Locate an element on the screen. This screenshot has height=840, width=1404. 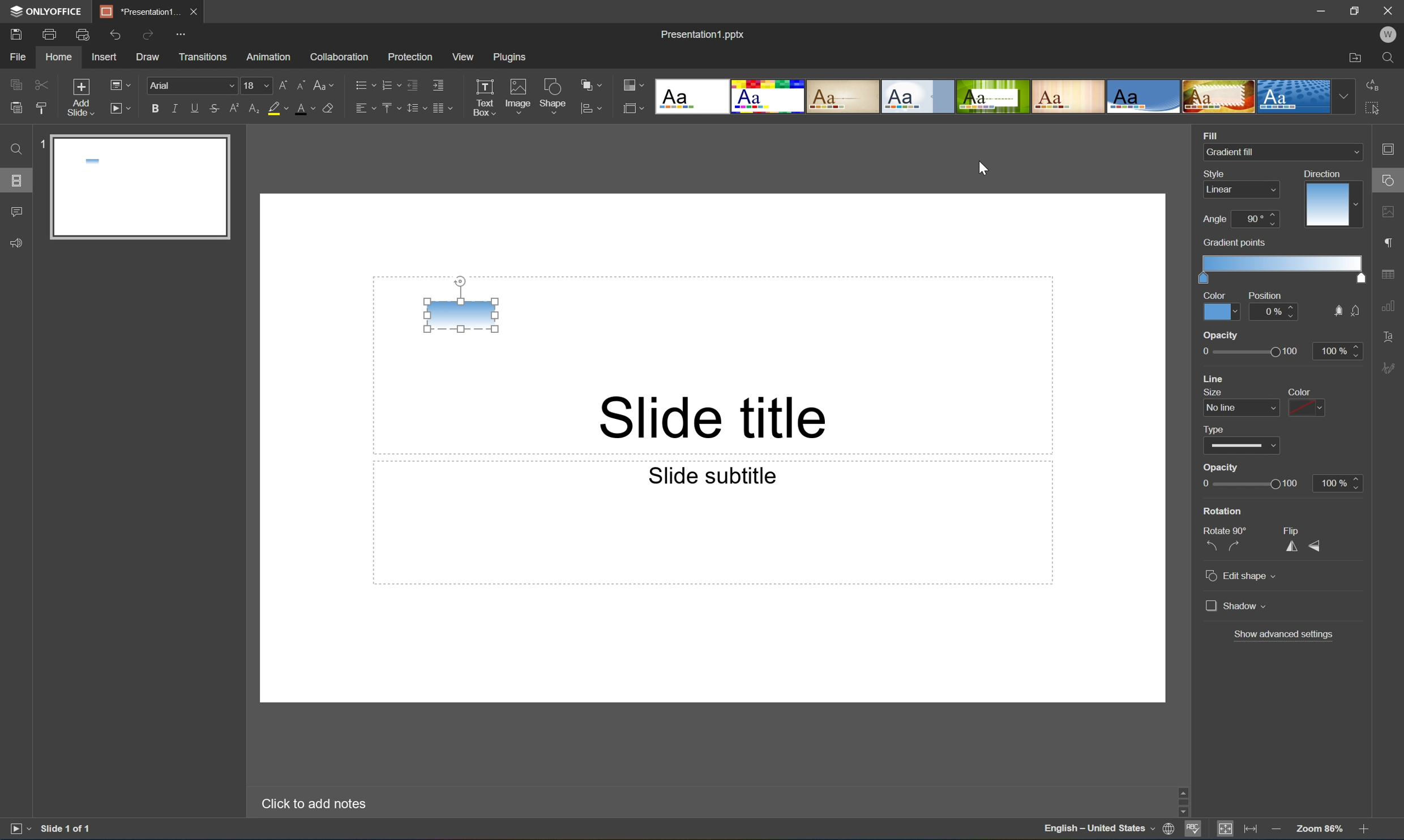
Click to add notes is located at coordinates (311, 802).